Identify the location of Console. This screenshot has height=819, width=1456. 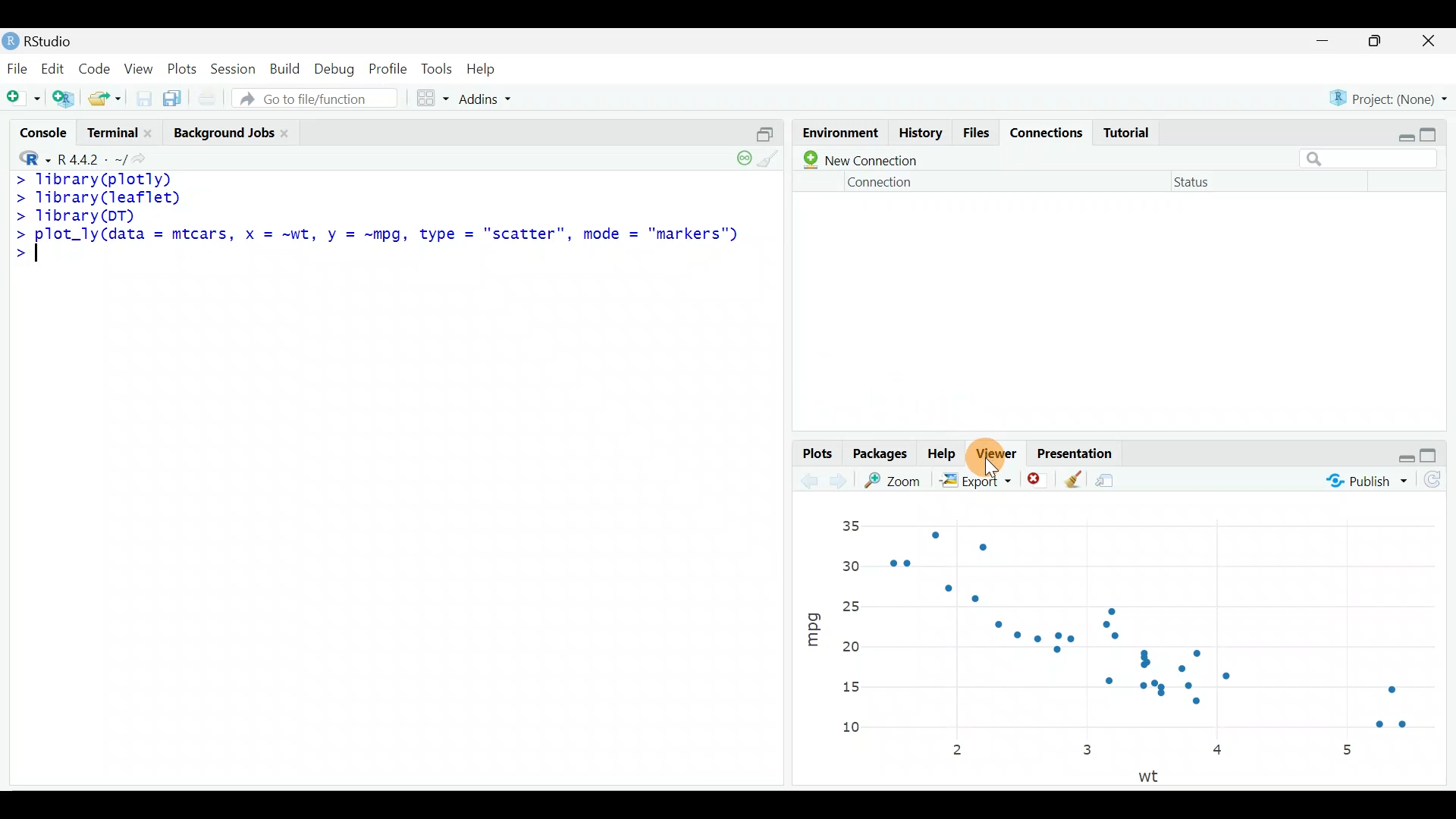
(45, 135).